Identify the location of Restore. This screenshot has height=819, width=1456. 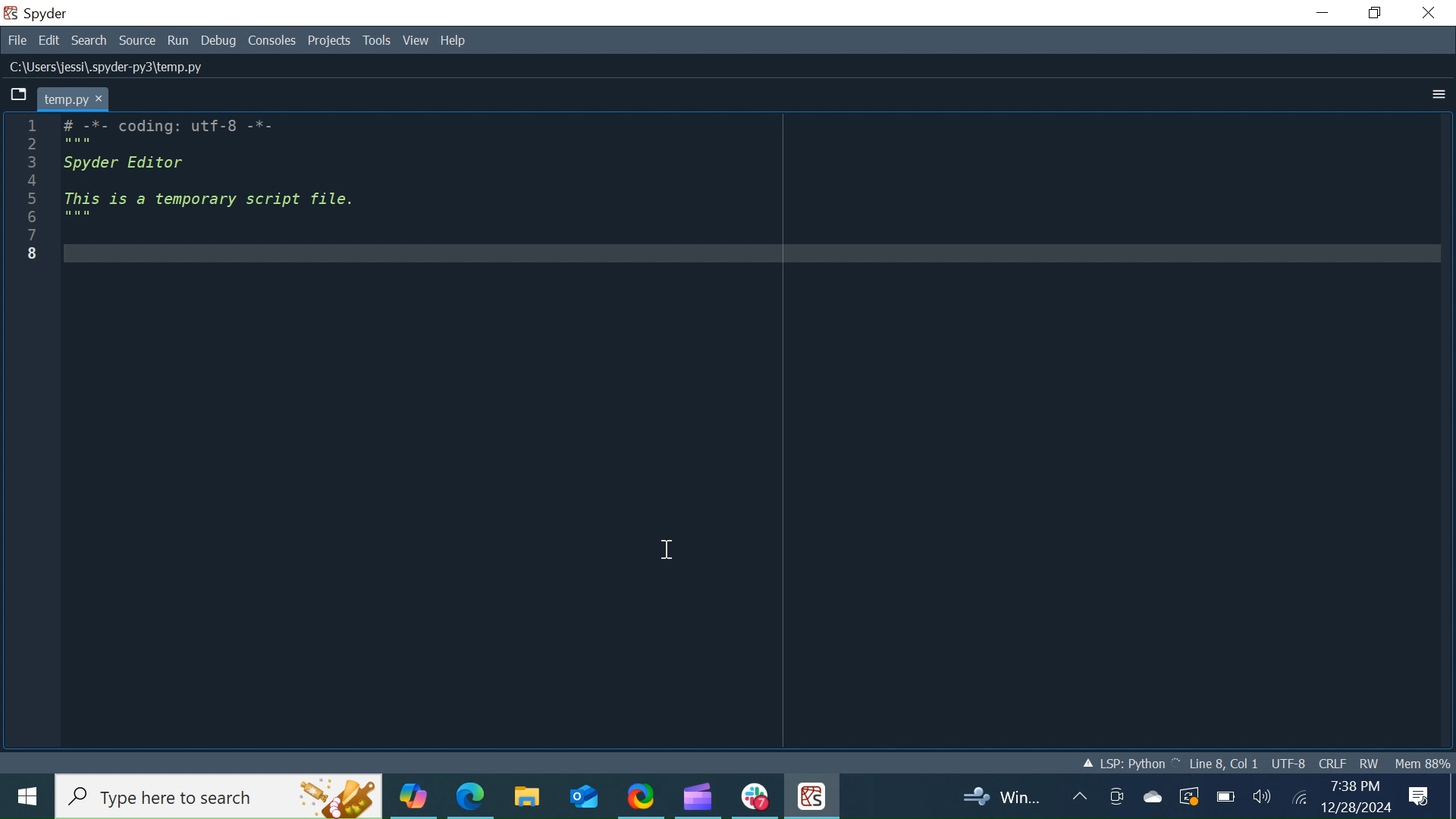
(1376, 14).